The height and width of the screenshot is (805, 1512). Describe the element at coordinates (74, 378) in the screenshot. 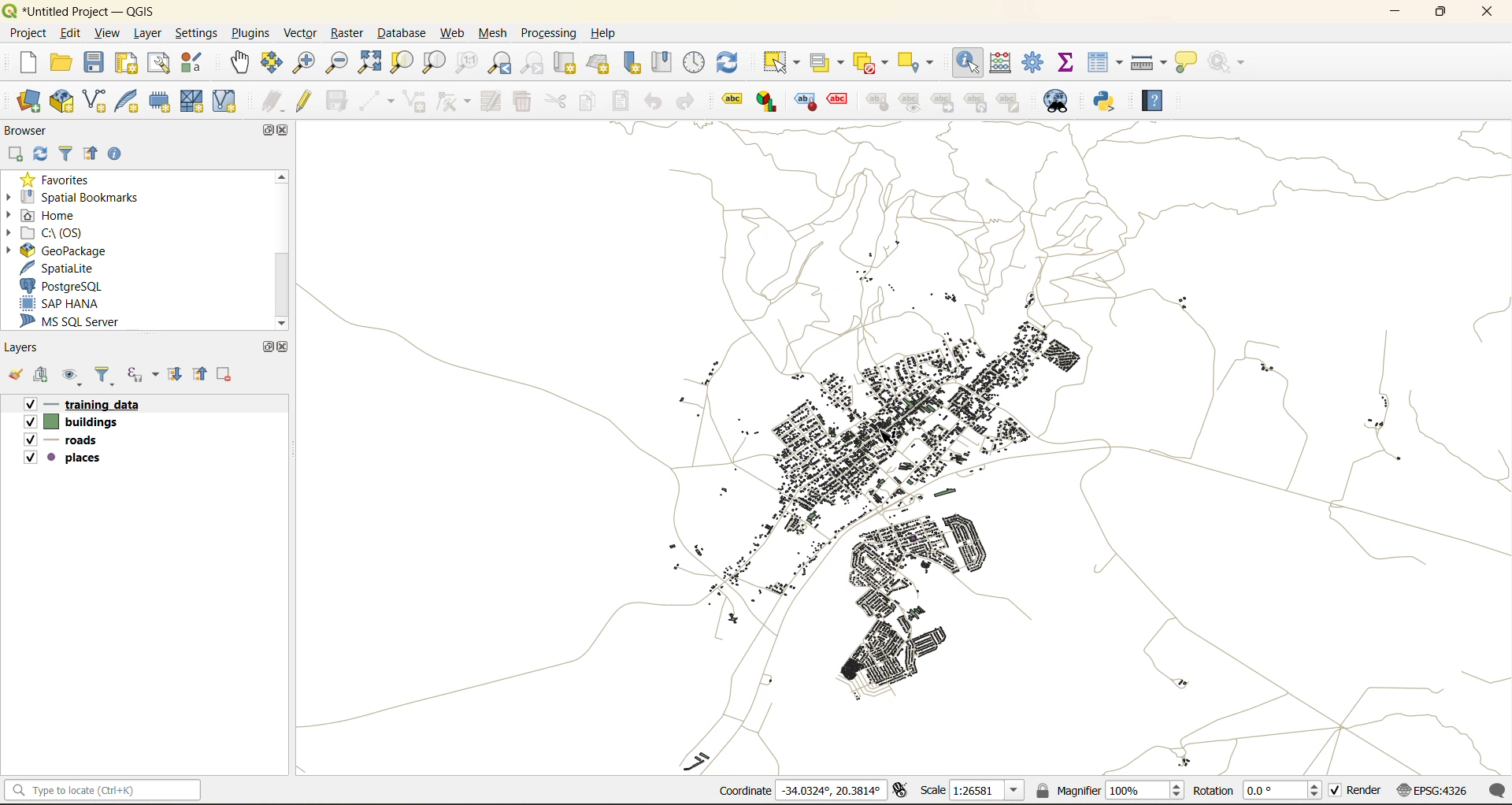

I see `manage map` at that location.